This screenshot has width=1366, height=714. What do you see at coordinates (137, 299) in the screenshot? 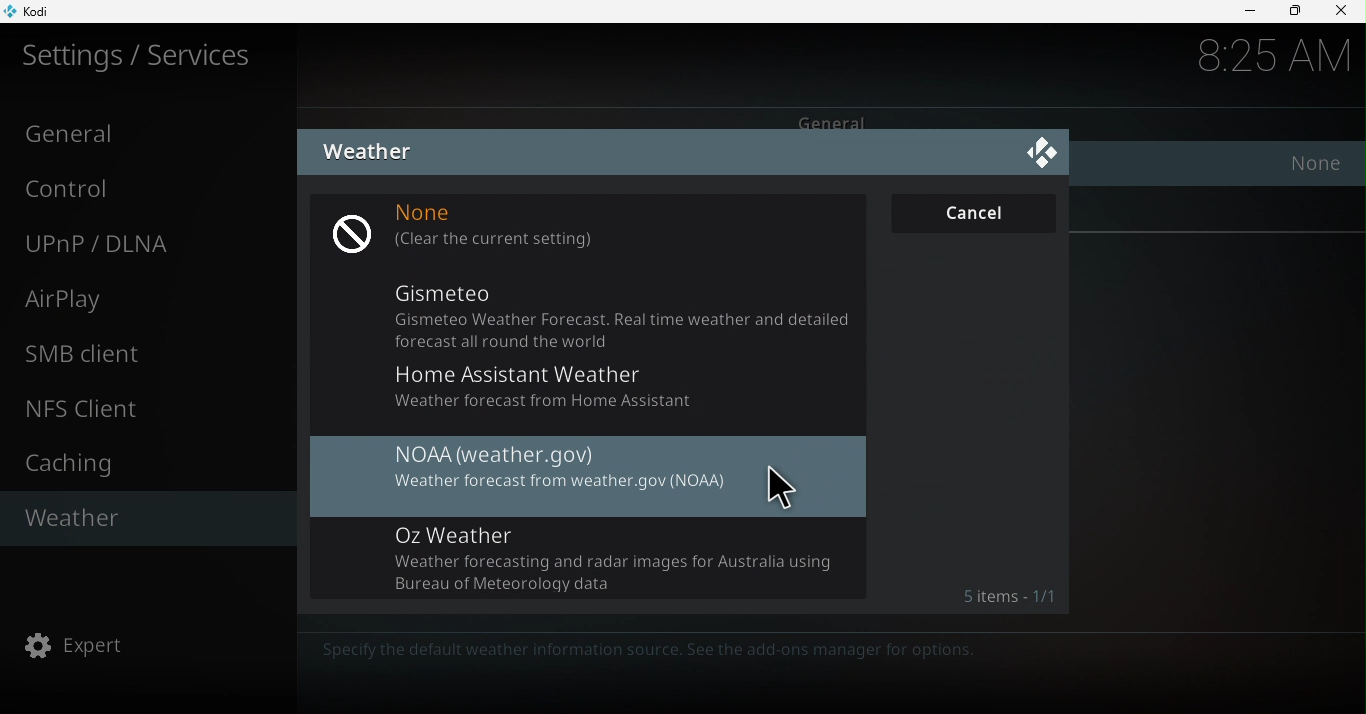
I see `Airplay` at bounding box center [137, 299].